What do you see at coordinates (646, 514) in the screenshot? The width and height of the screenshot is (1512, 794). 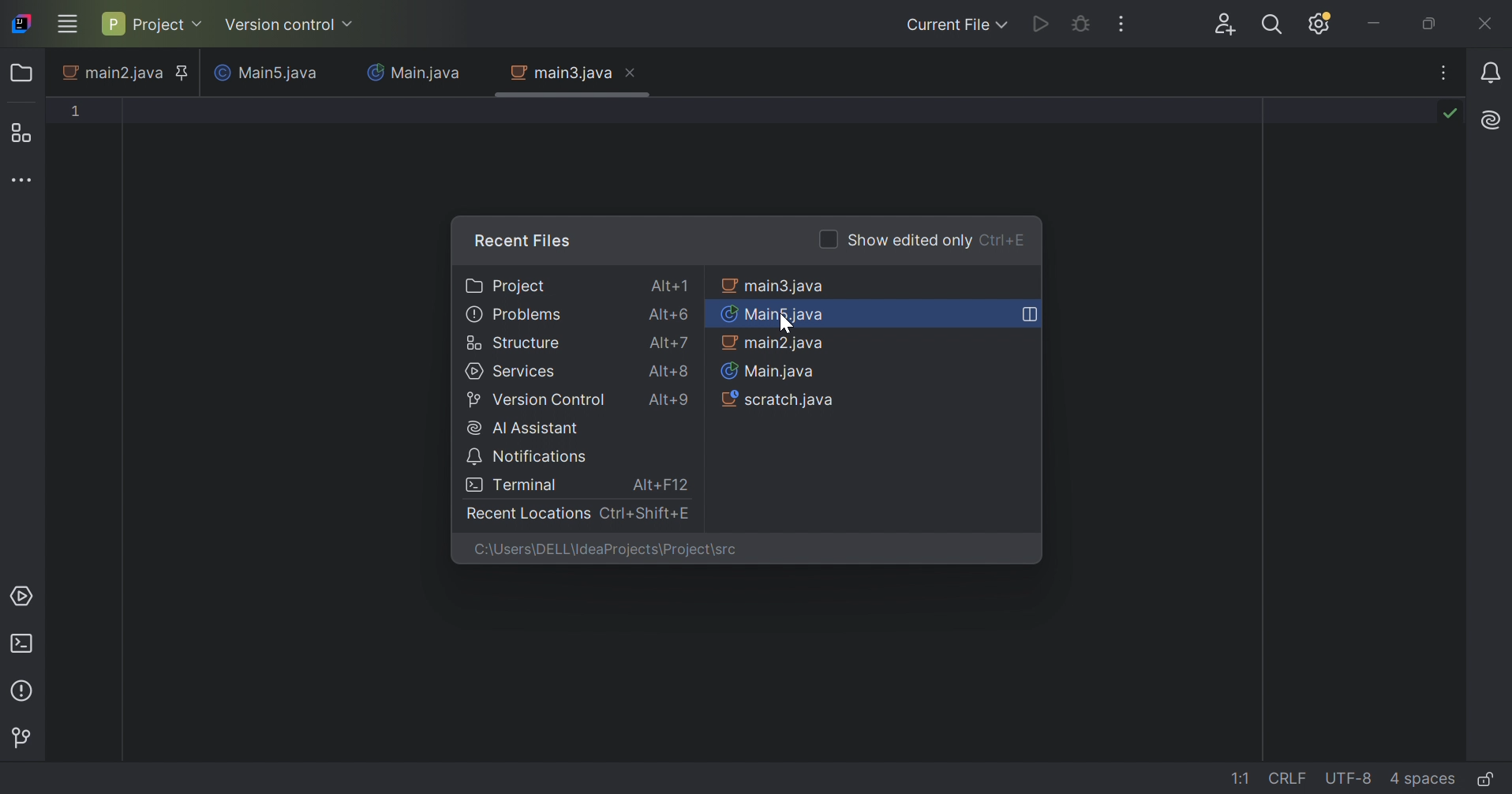 I see `Ctrl+Shift+E` at bounding box center [646, 514].